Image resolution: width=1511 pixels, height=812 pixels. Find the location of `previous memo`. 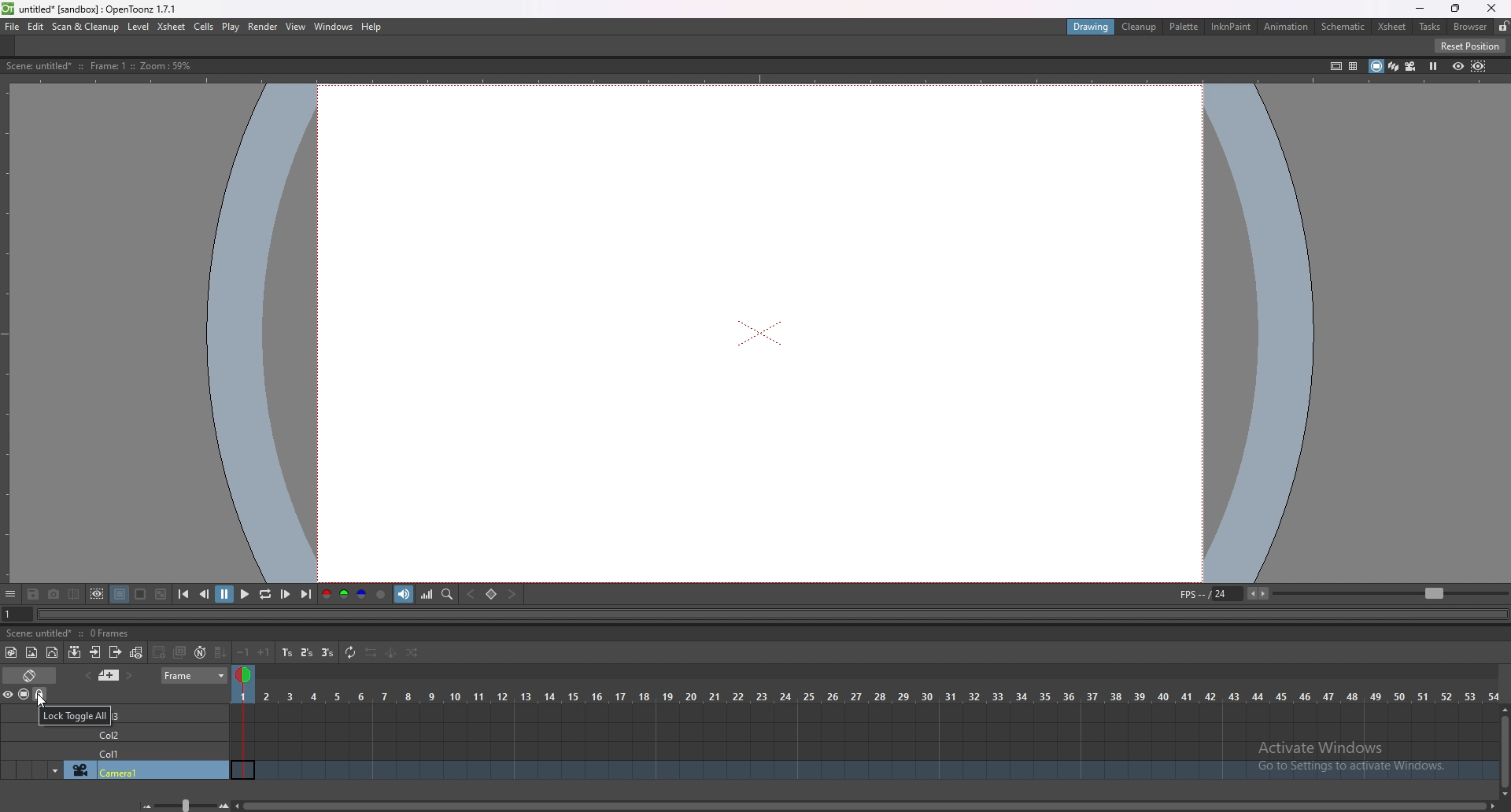

previous memo is located at coordinates (88, 675).